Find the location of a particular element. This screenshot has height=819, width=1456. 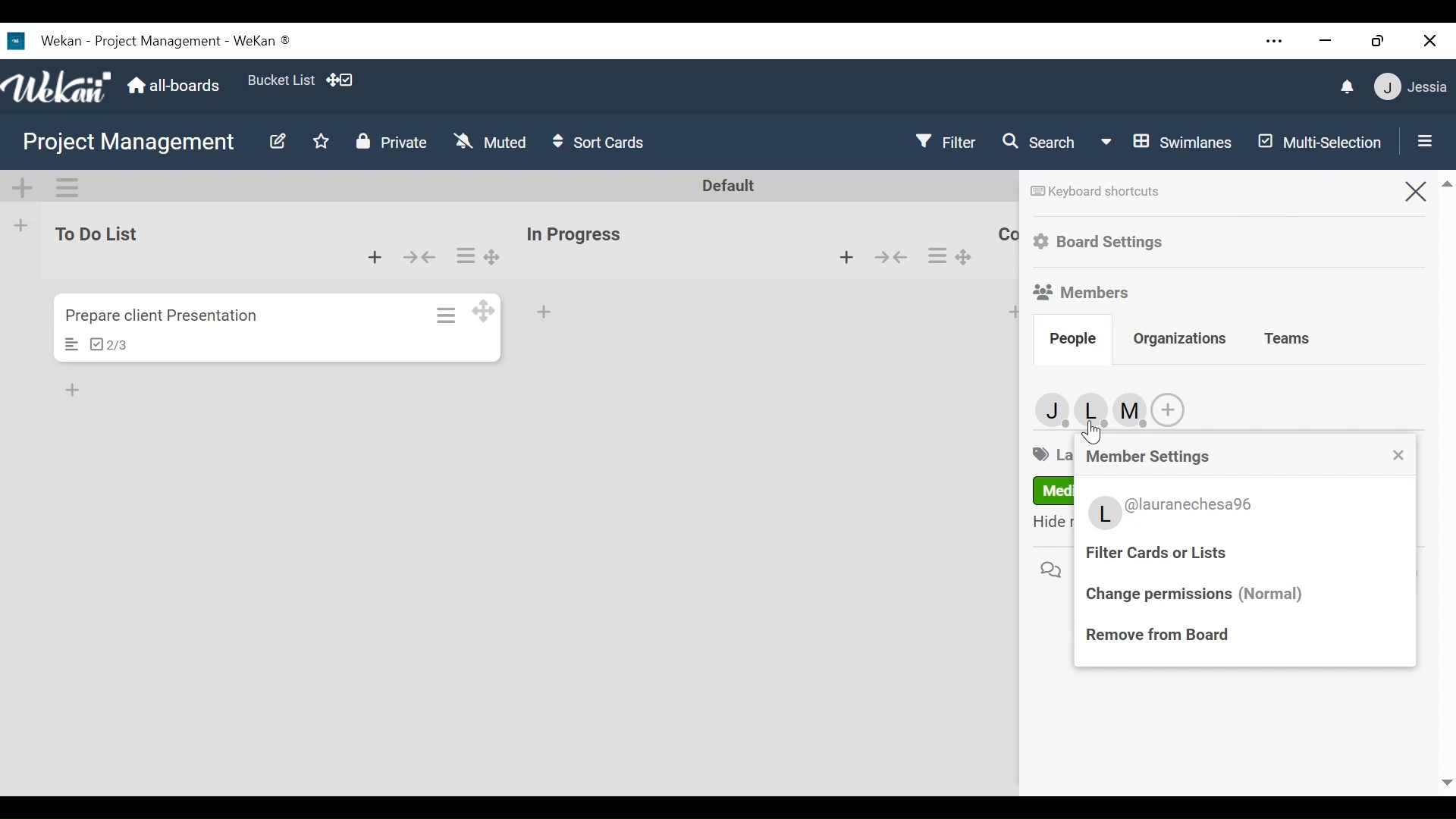

Sidebar is located at coordinates (1421, 140).